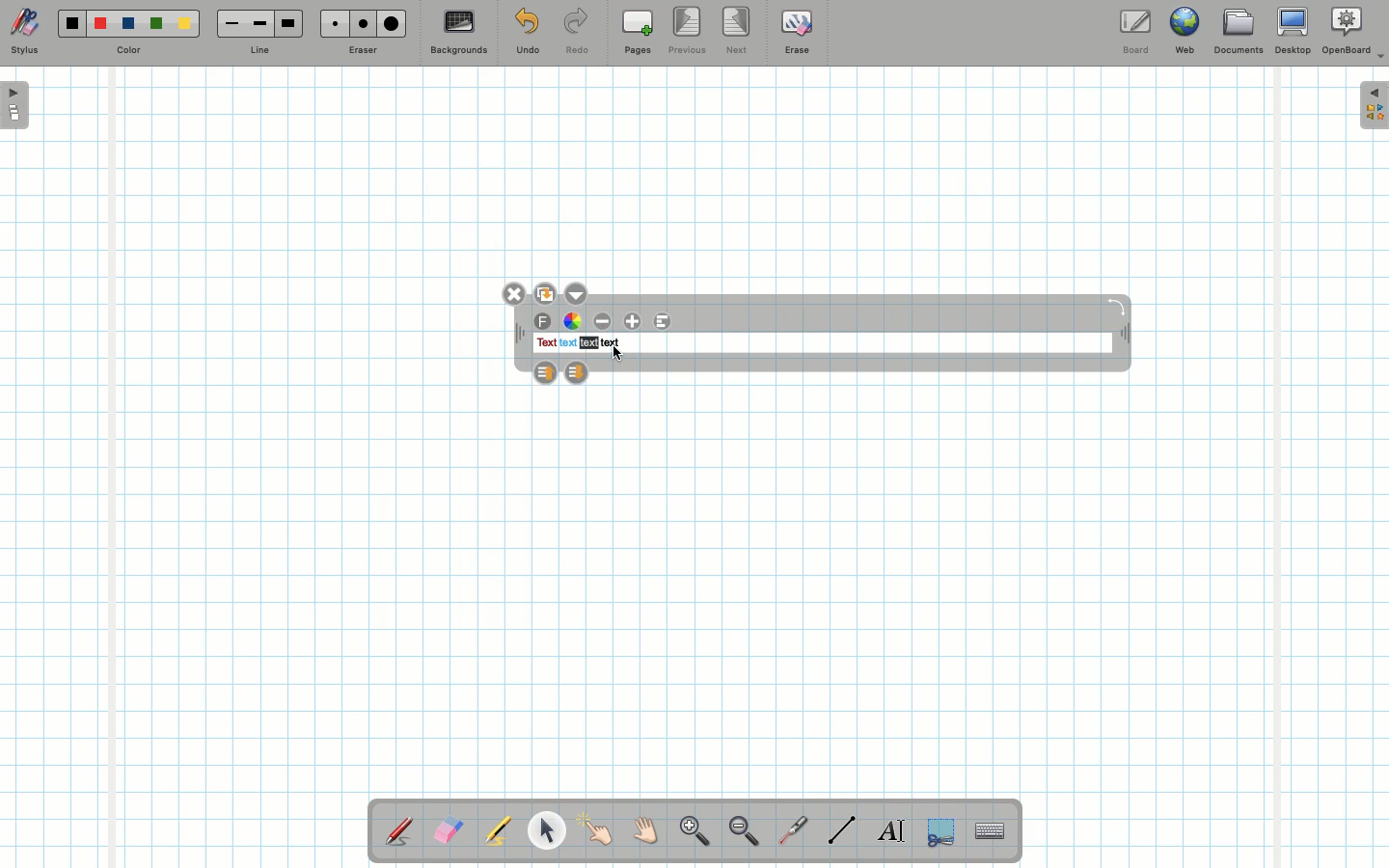  Describe the element at coordinates (1123, 336) in the screenshot. I see `Move` at that location.